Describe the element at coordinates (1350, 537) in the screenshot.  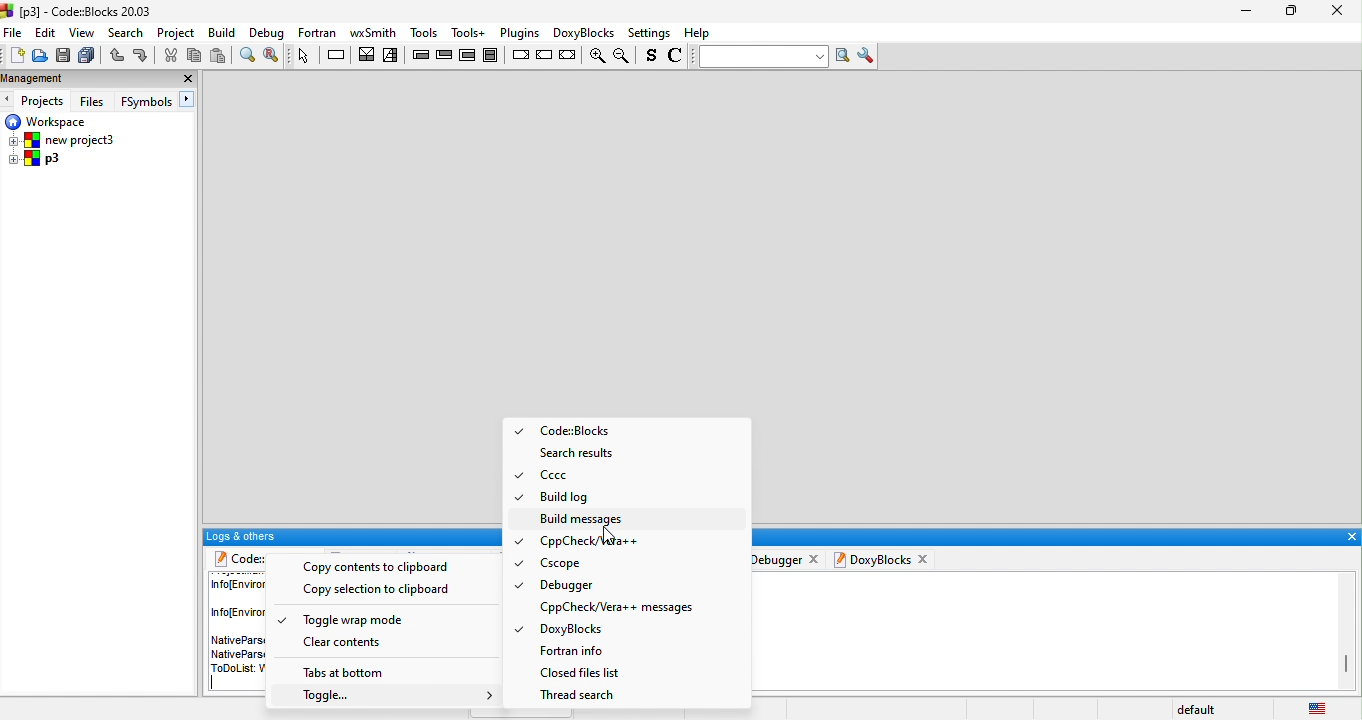
I see `close` at that location.